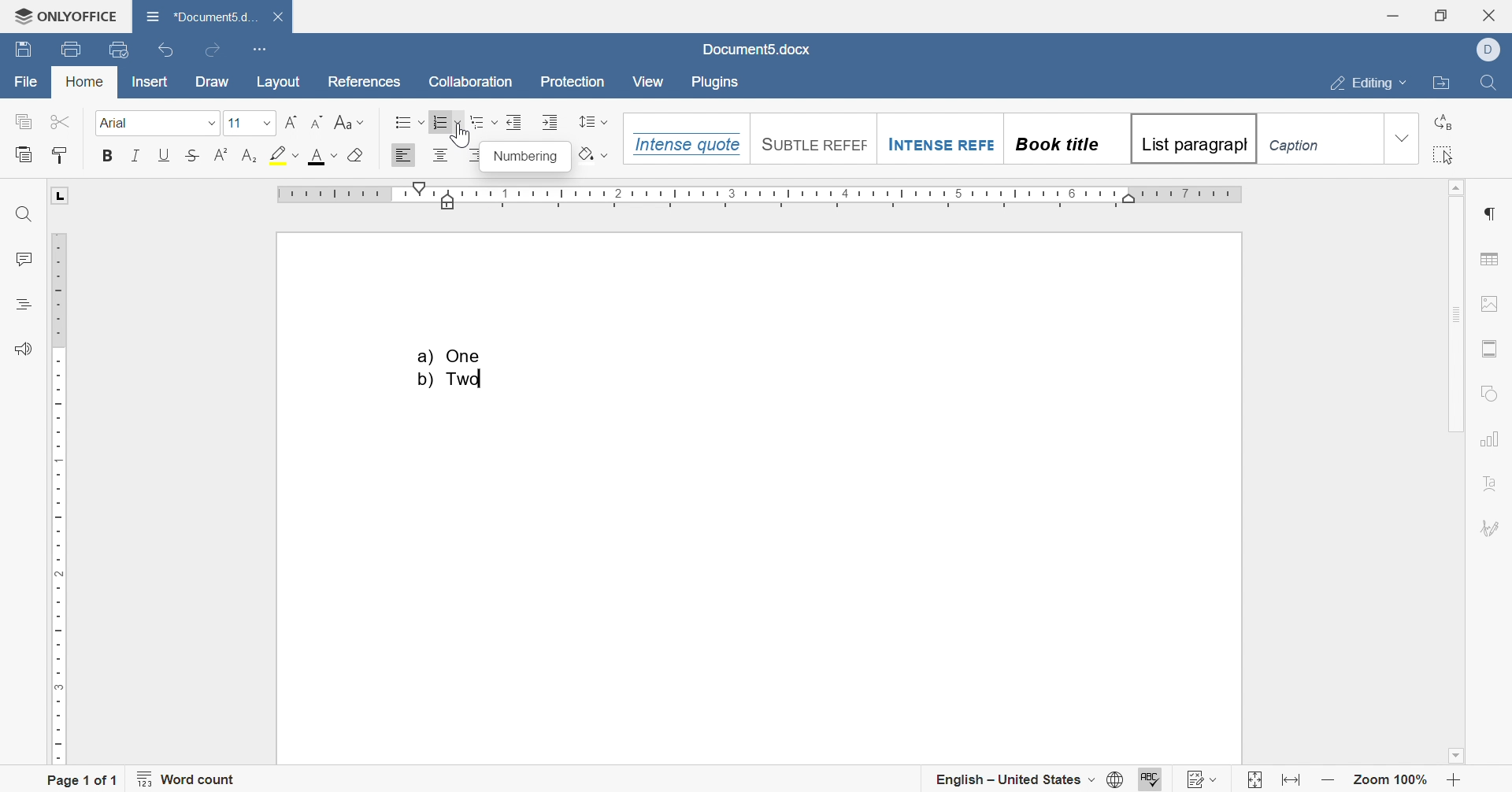  Describe the element at coordinates (443, 155) in the screenshot. I see `Align center` at that location.